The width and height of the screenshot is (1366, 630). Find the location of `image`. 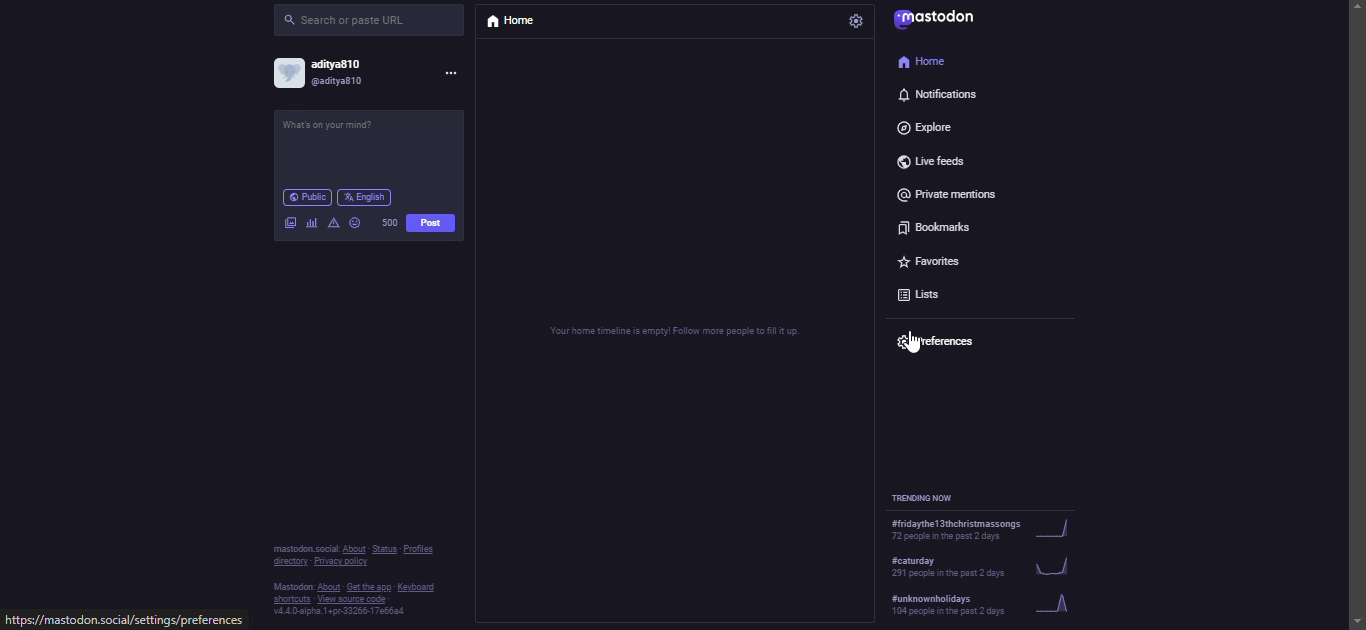

image is located at coordinates (289, 221).